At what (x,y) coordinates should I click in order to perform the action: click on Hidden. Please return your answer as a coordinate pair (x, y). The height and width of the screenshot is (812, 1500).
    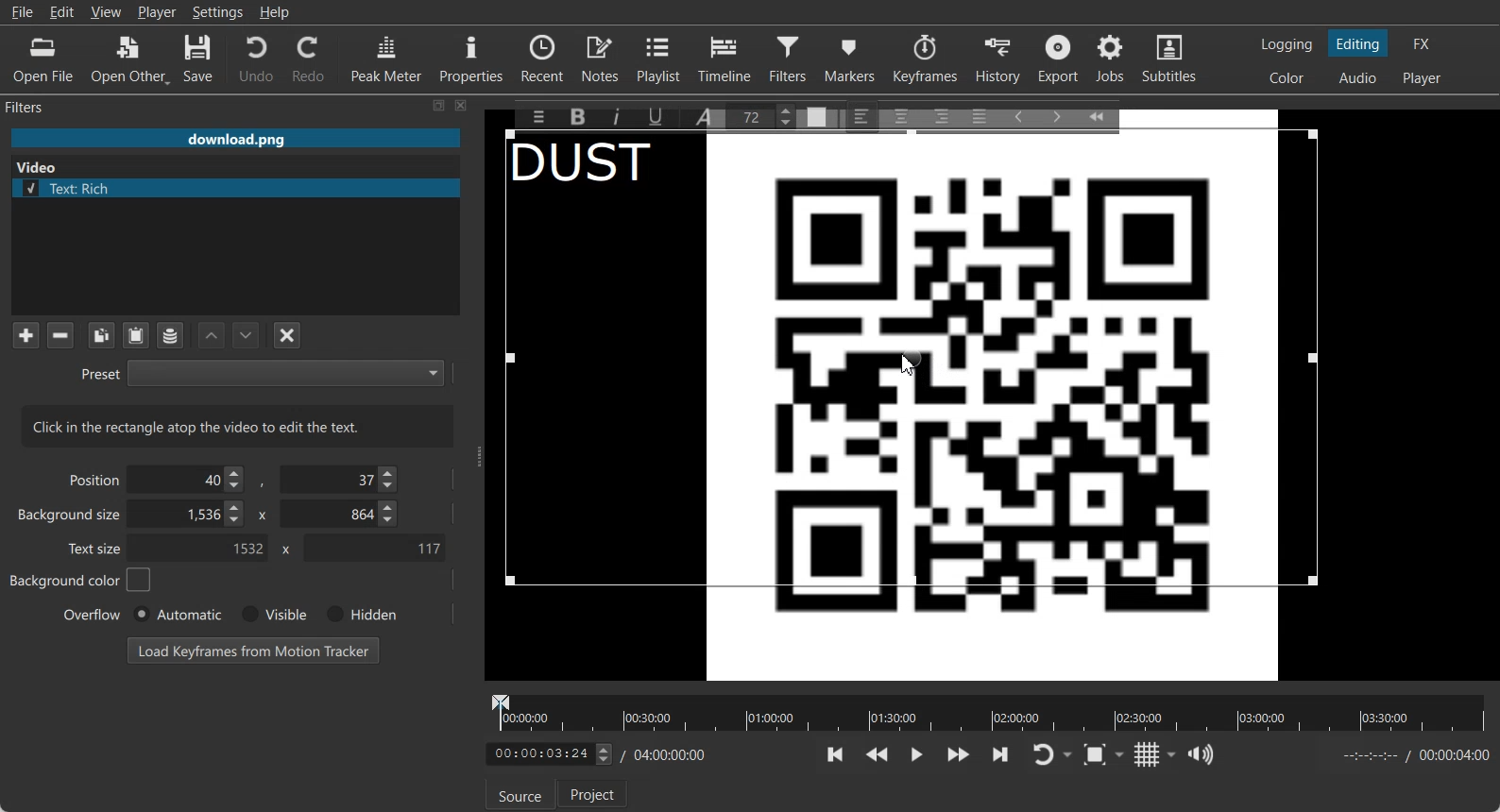
    Looking at the image, I should click on (358, 614).